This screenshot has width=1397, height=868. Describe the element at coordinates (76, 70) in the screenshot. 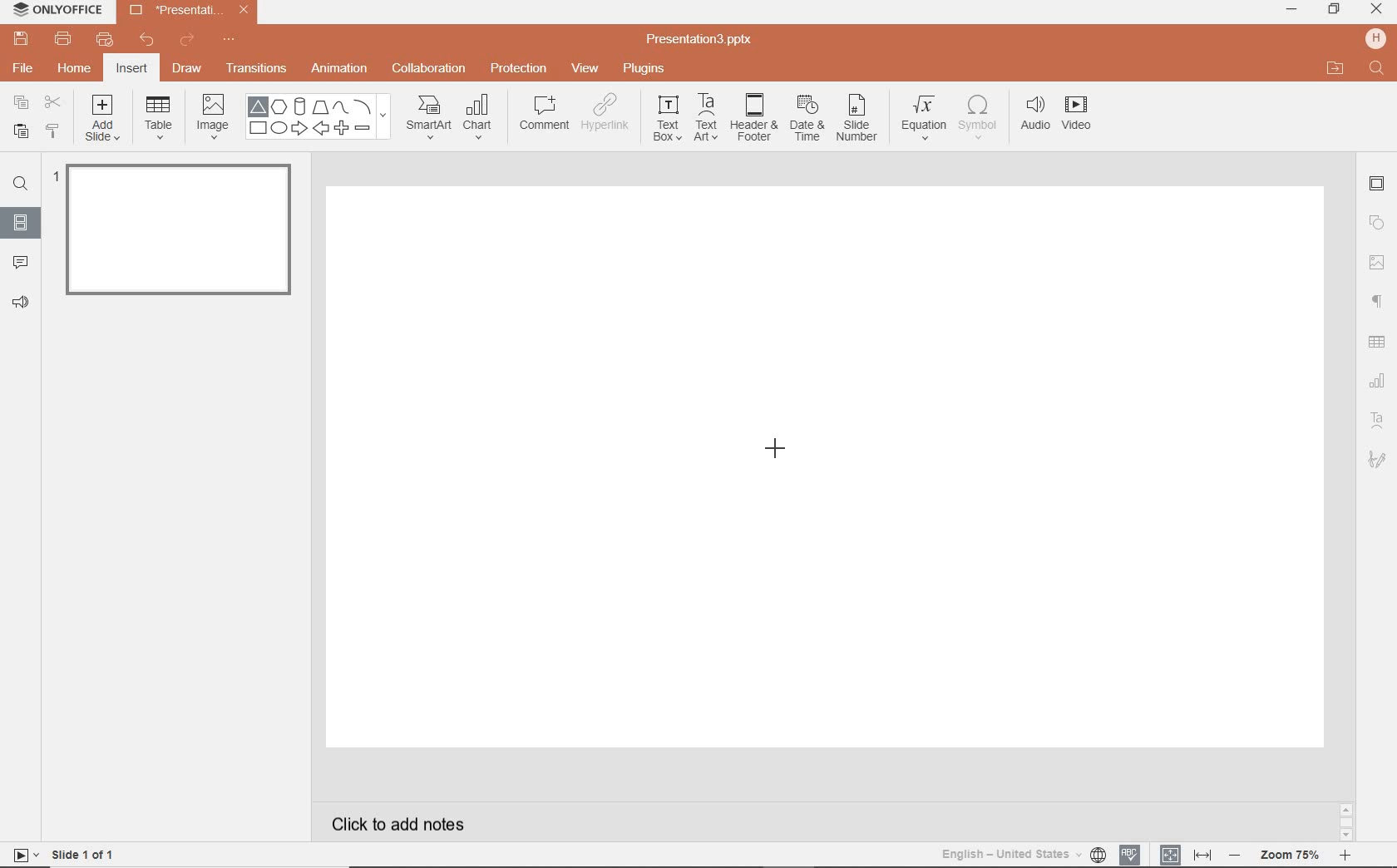

I see `HOME` at that location.